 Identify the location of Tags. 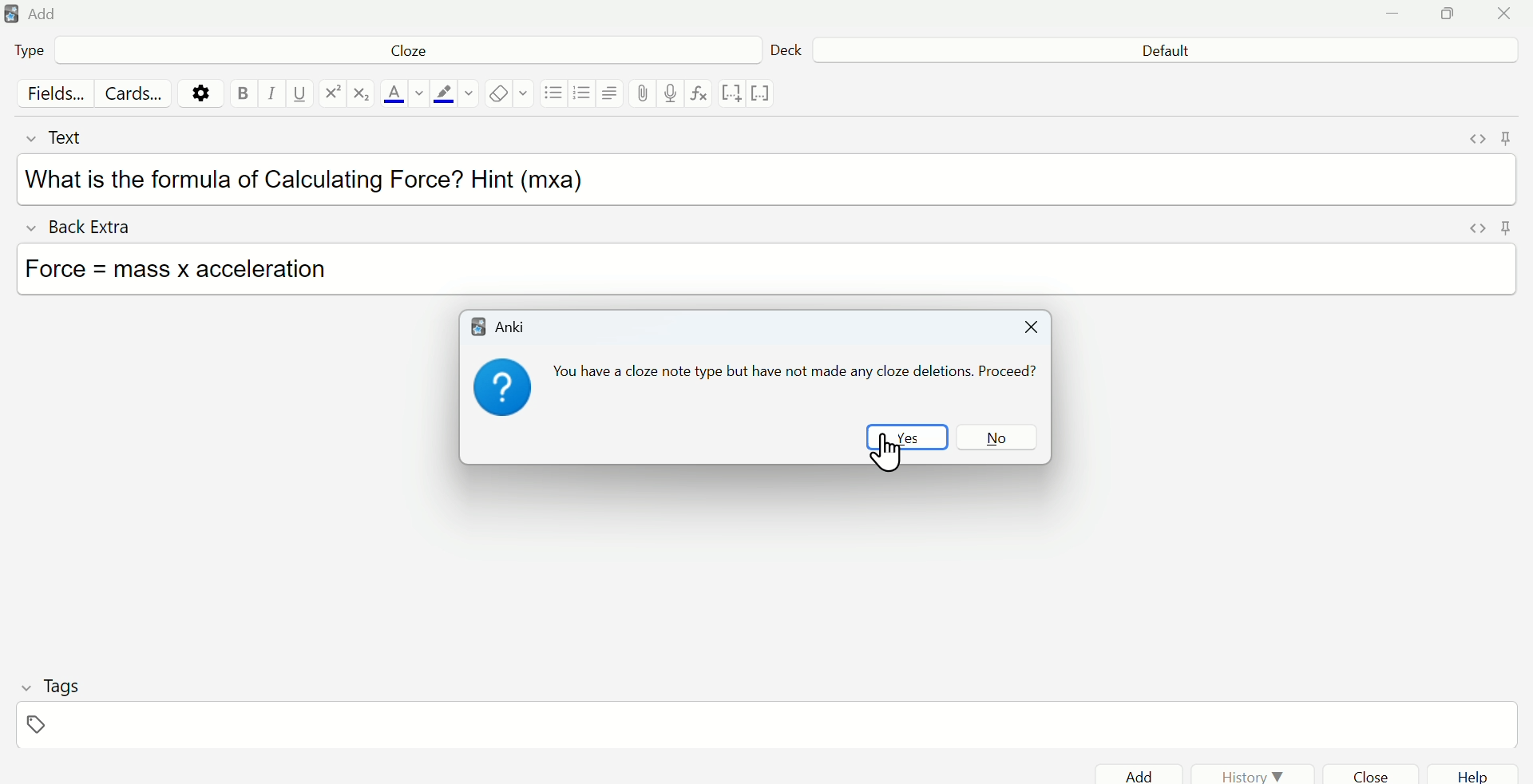
(51, 684).